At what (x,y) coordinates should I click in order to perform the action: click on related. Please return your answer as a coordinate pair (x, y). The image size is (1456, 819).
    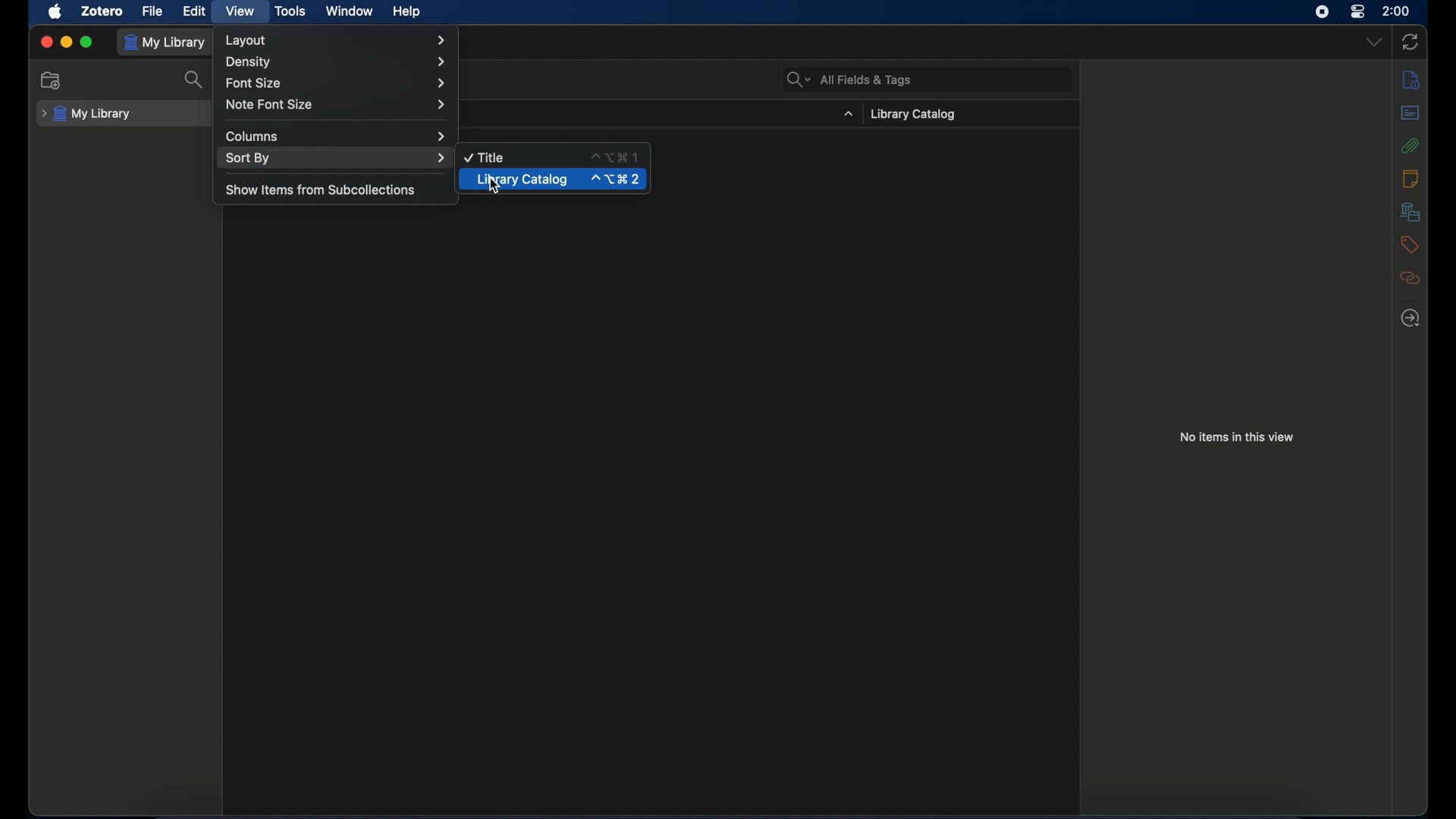
    Looking at the image, I should click on (1411, 278).